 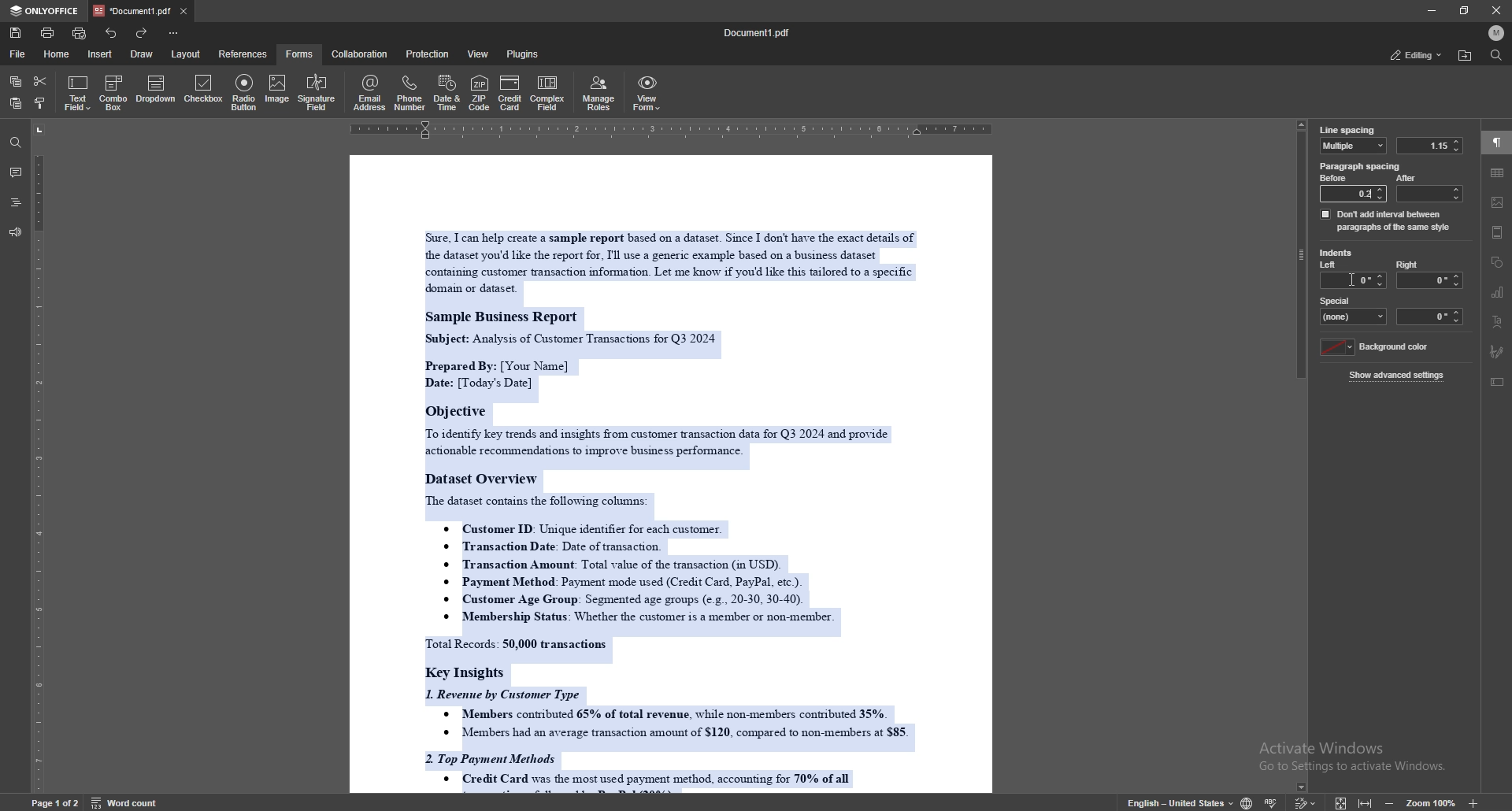 What do you see at coordinates (1354, 146) in the screenshot?
I see `line spacing type` at bounding box center [1354, 146].